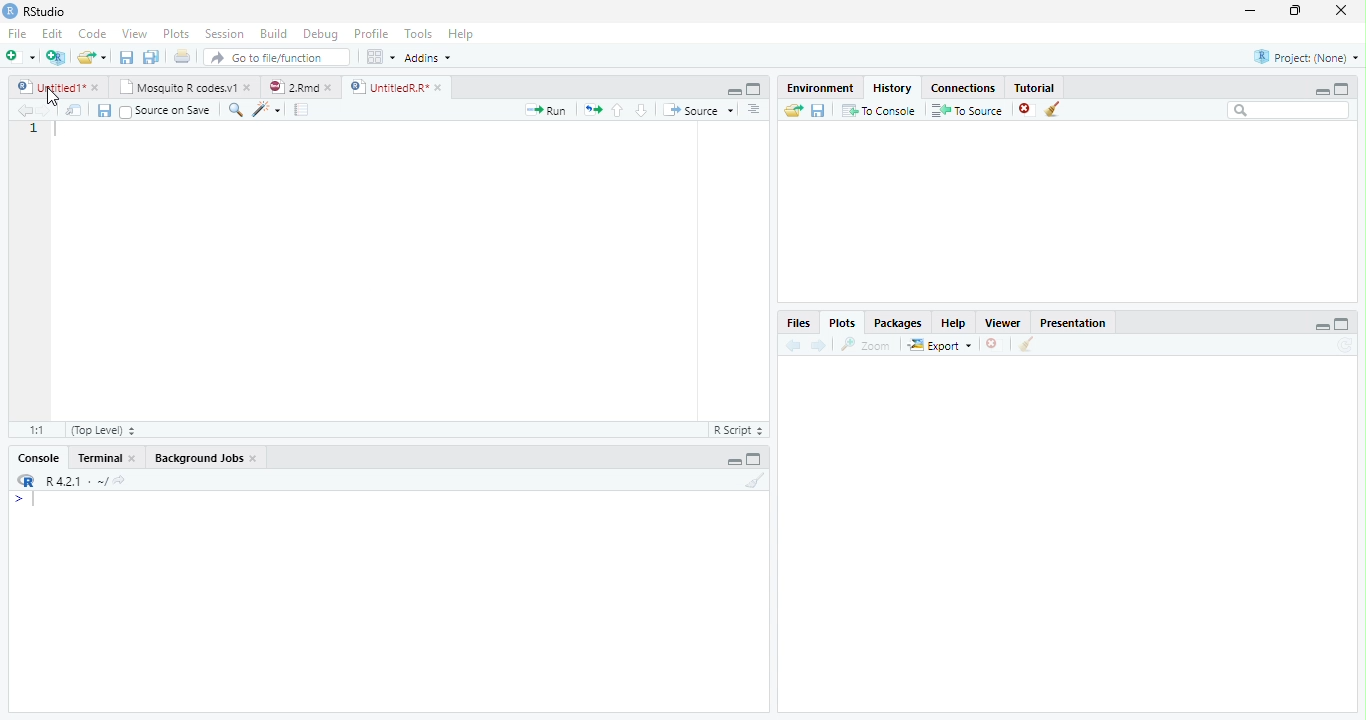 The image size is (1366, 720). Describe the element at coordinates (1348, 345) in the screenshot. I see `Refresh` at that location.